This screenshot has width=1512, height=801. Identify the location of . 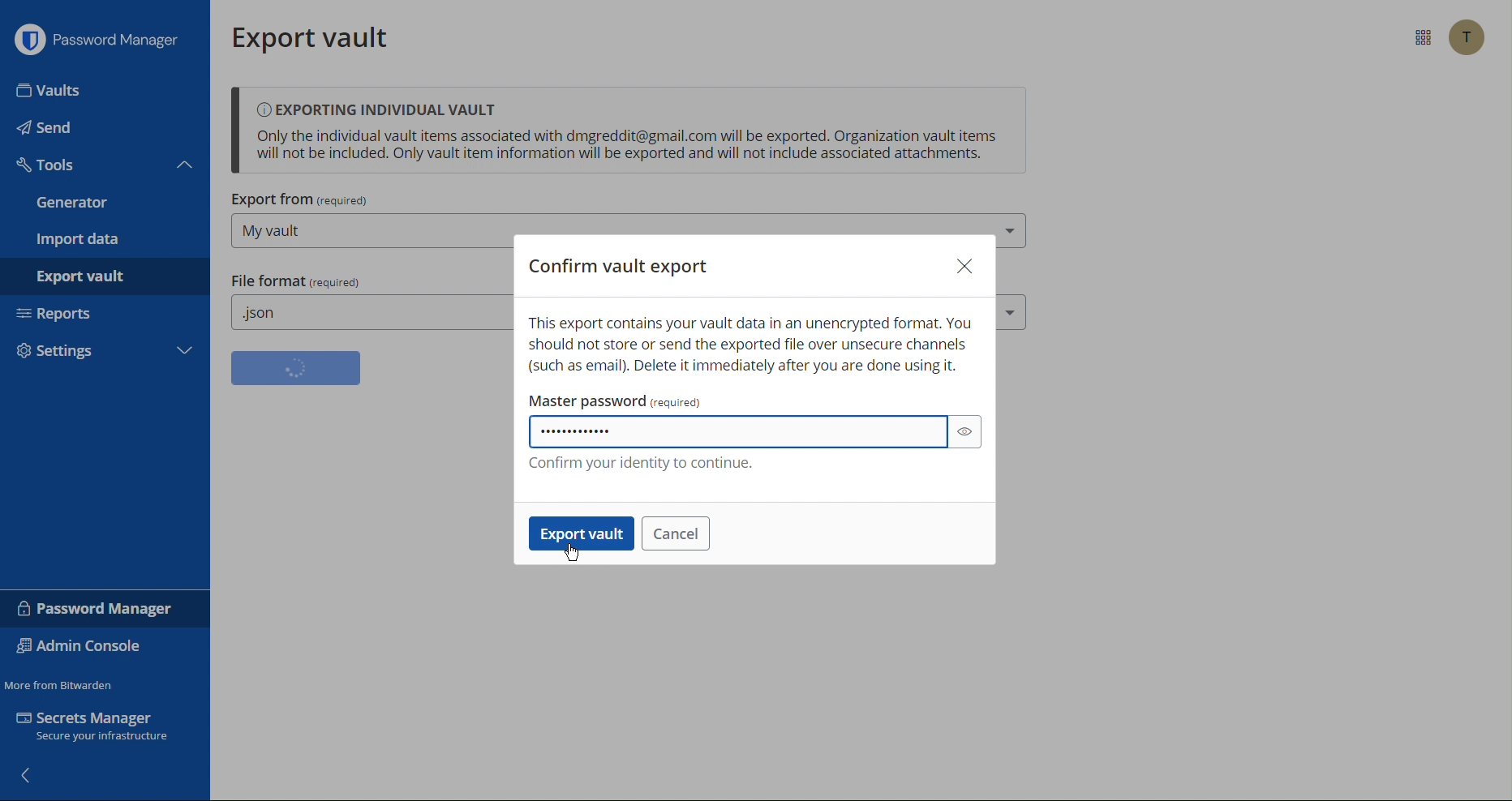
(102, 88).